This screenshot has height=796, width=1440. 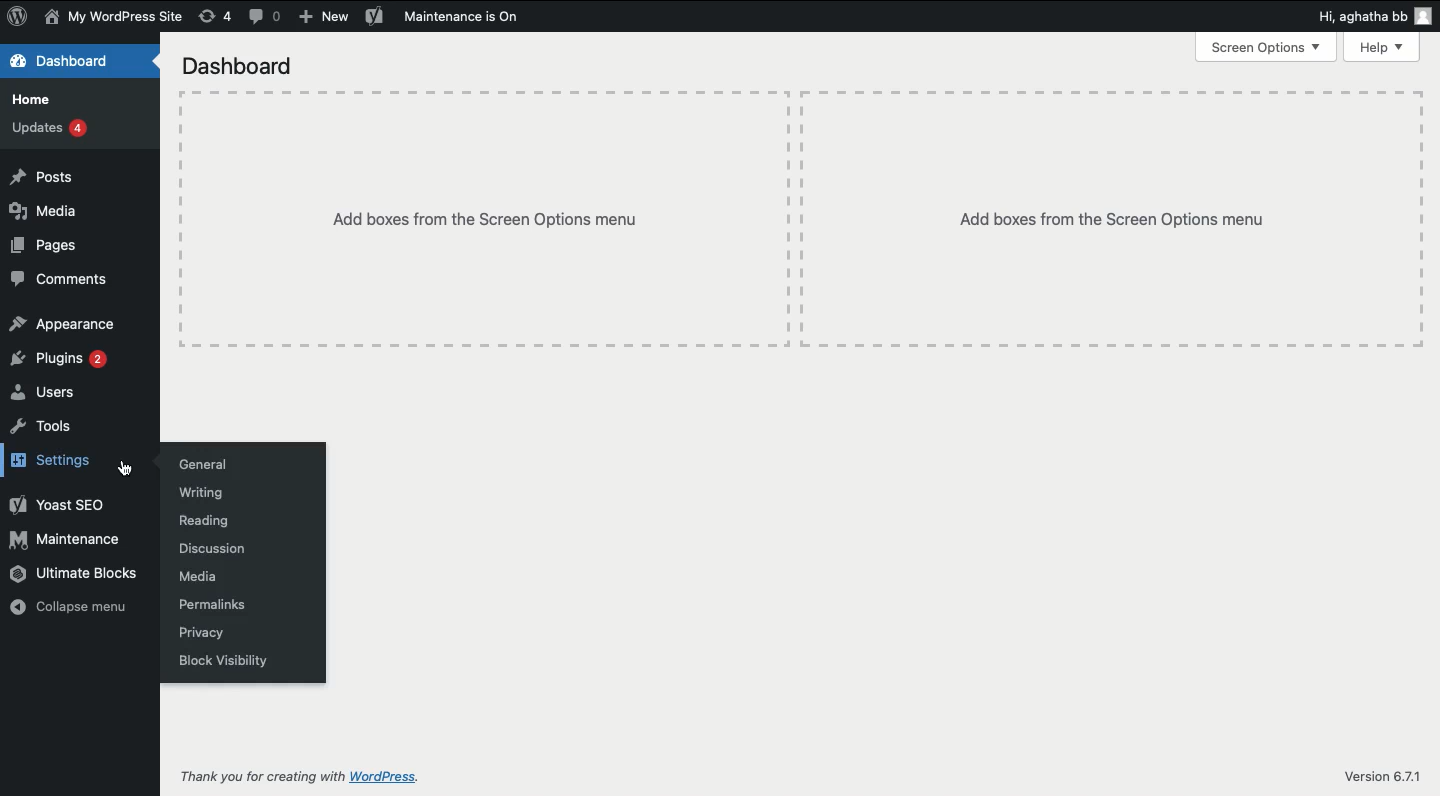 What do you see at coordinates (49, 212) in the screenshot?
I see `media` at bounding box center [49, 212].